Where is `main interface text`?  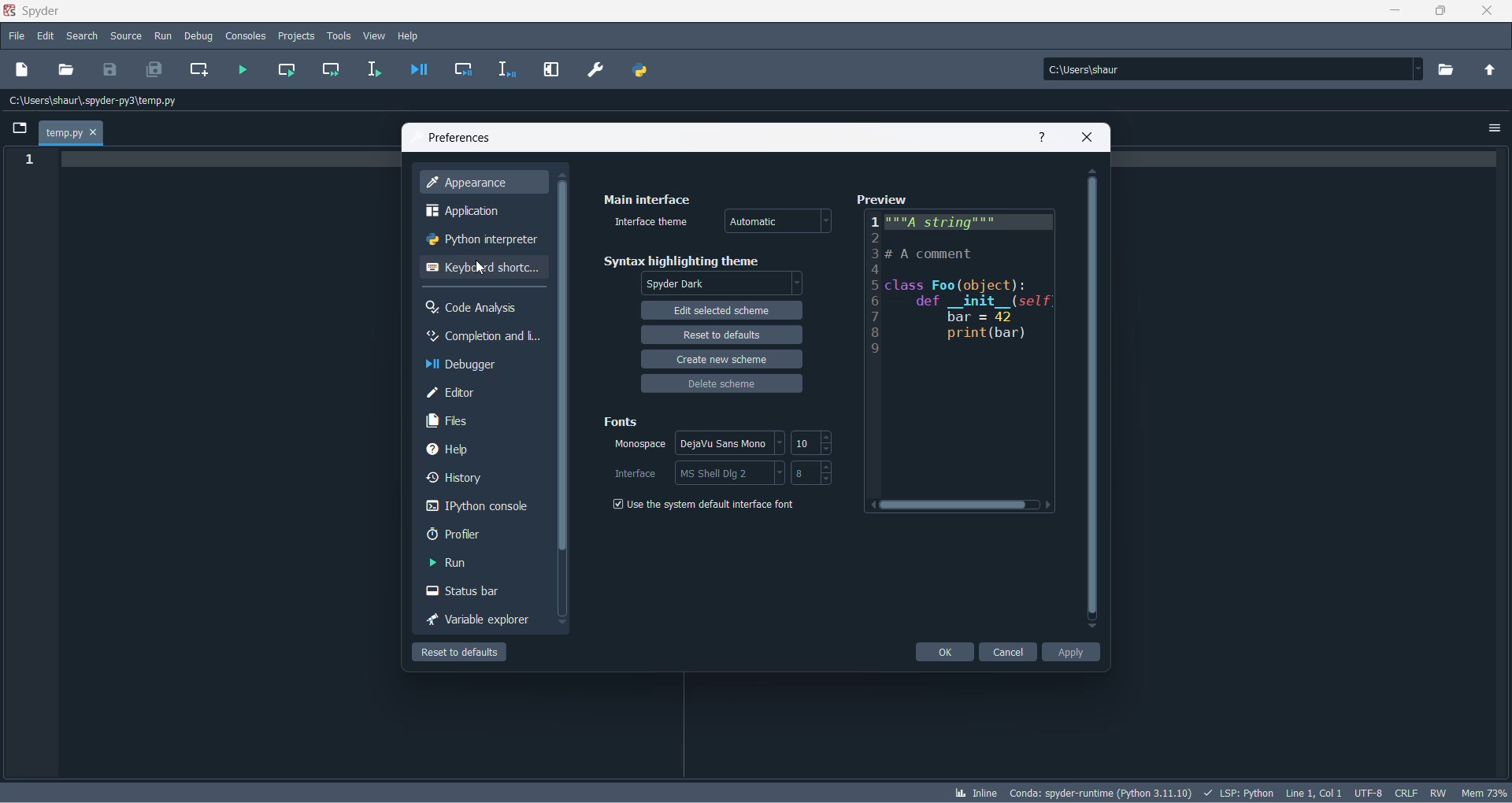 main interface text is located at coordinates (646, 195).